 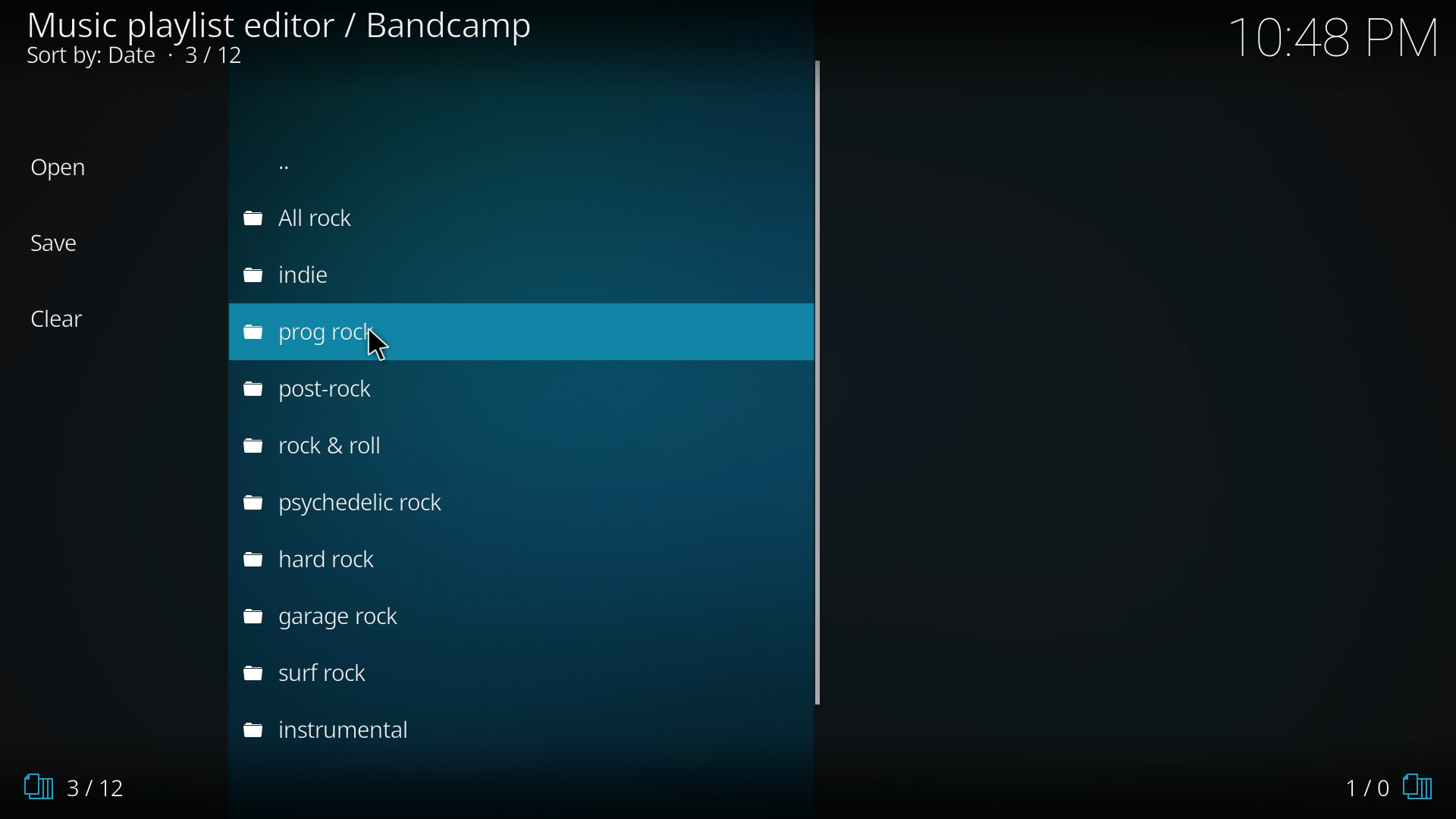 I want to click on back, so click(x=362, y=165).